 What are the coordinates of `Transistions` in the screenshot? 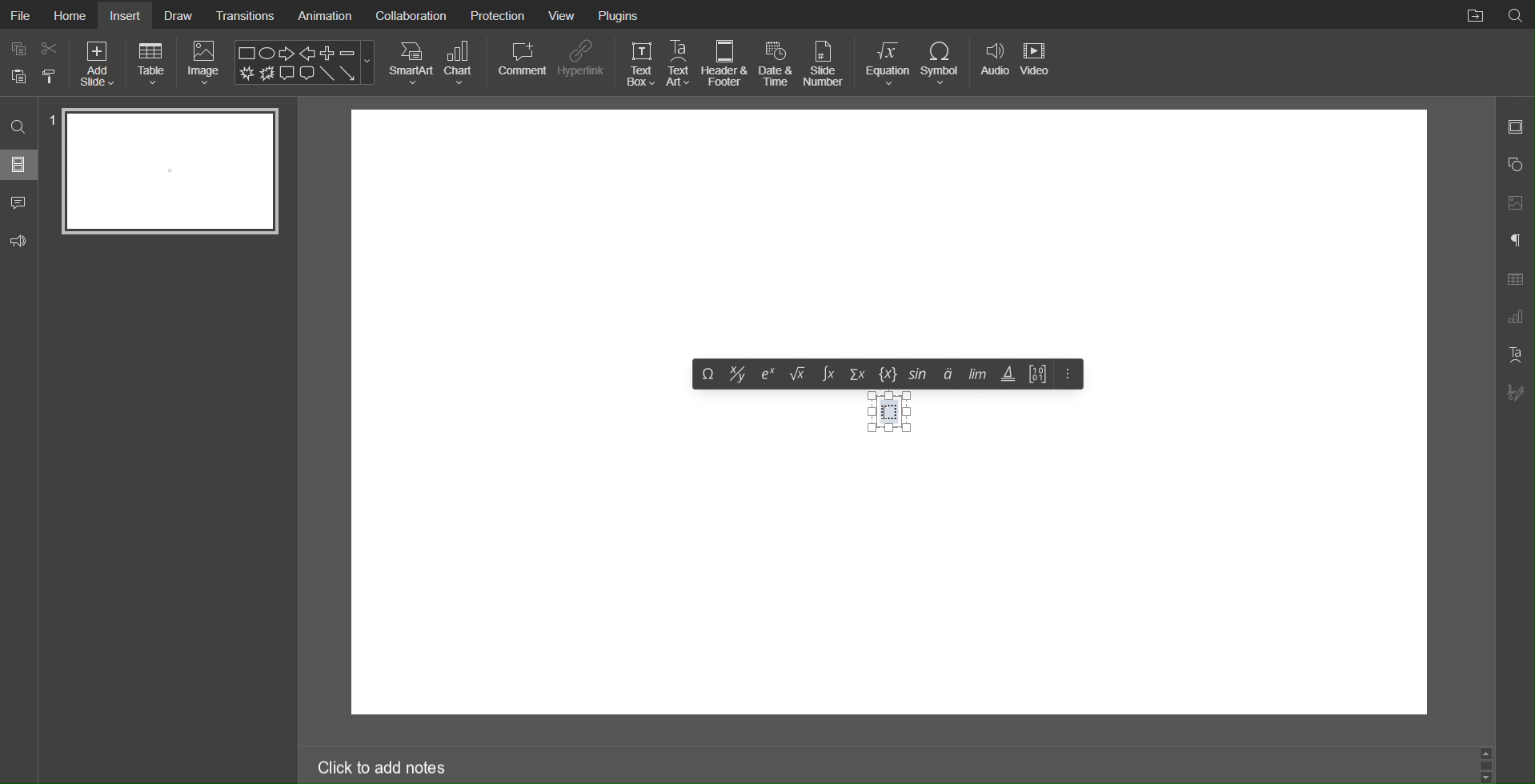 It's located at (246, 15).